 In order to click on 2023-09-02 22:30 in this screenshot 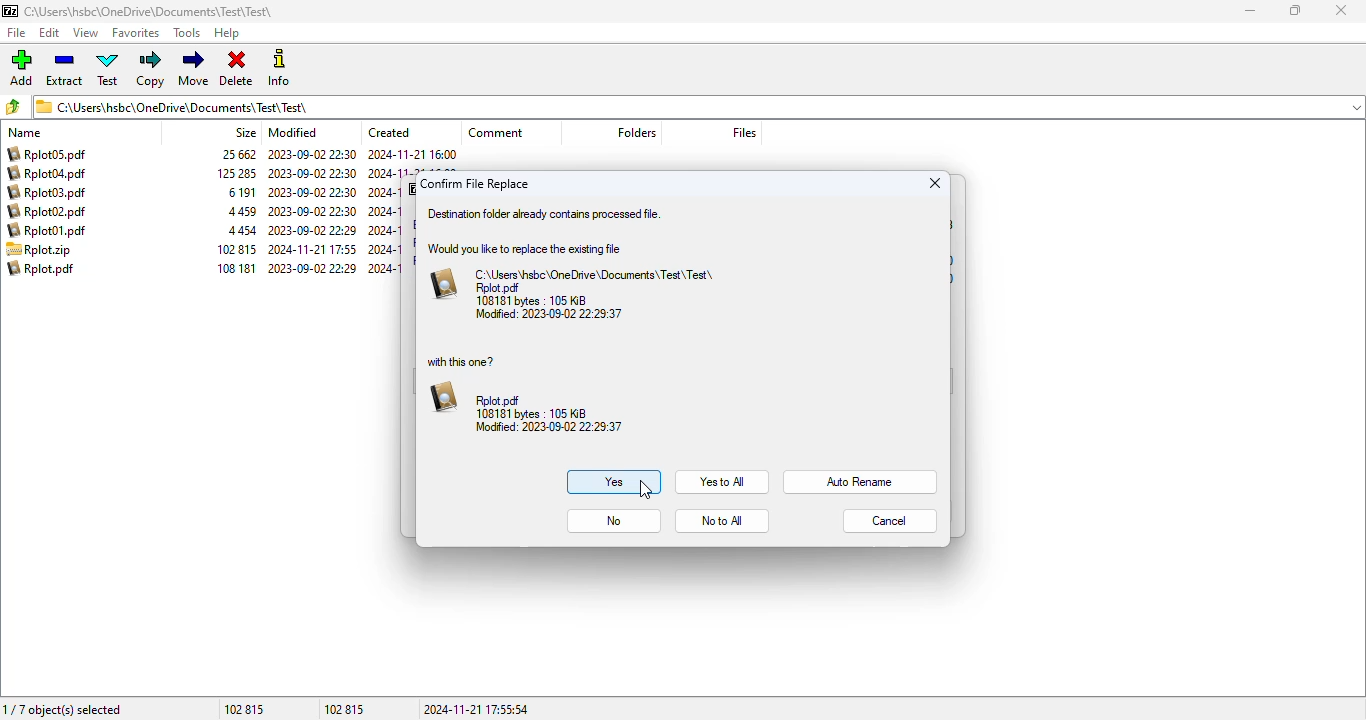, I will do `click(311, 212)`.